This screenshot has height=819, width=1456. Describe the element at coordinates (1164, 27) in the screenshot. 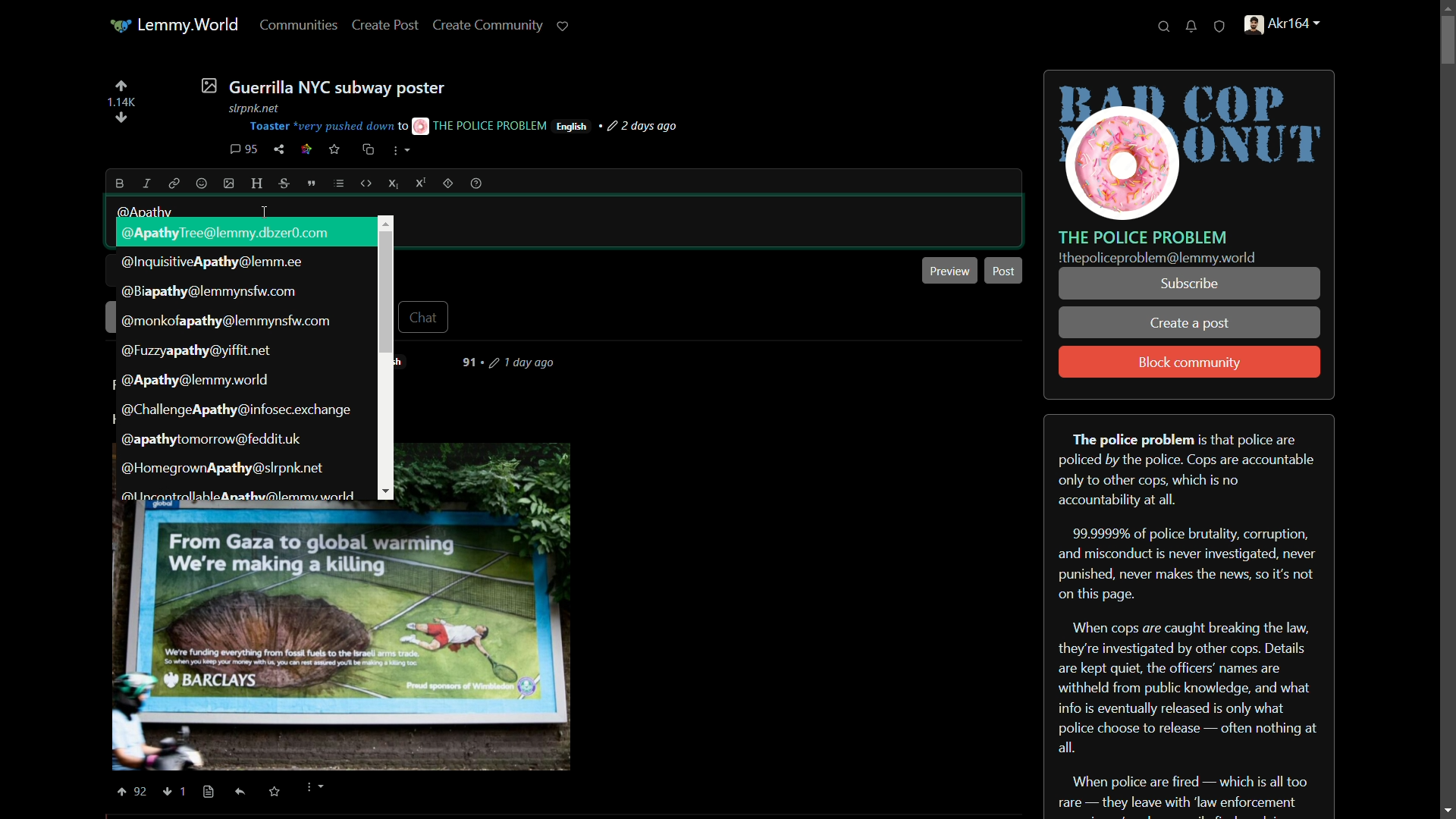

I see `search` at that location.